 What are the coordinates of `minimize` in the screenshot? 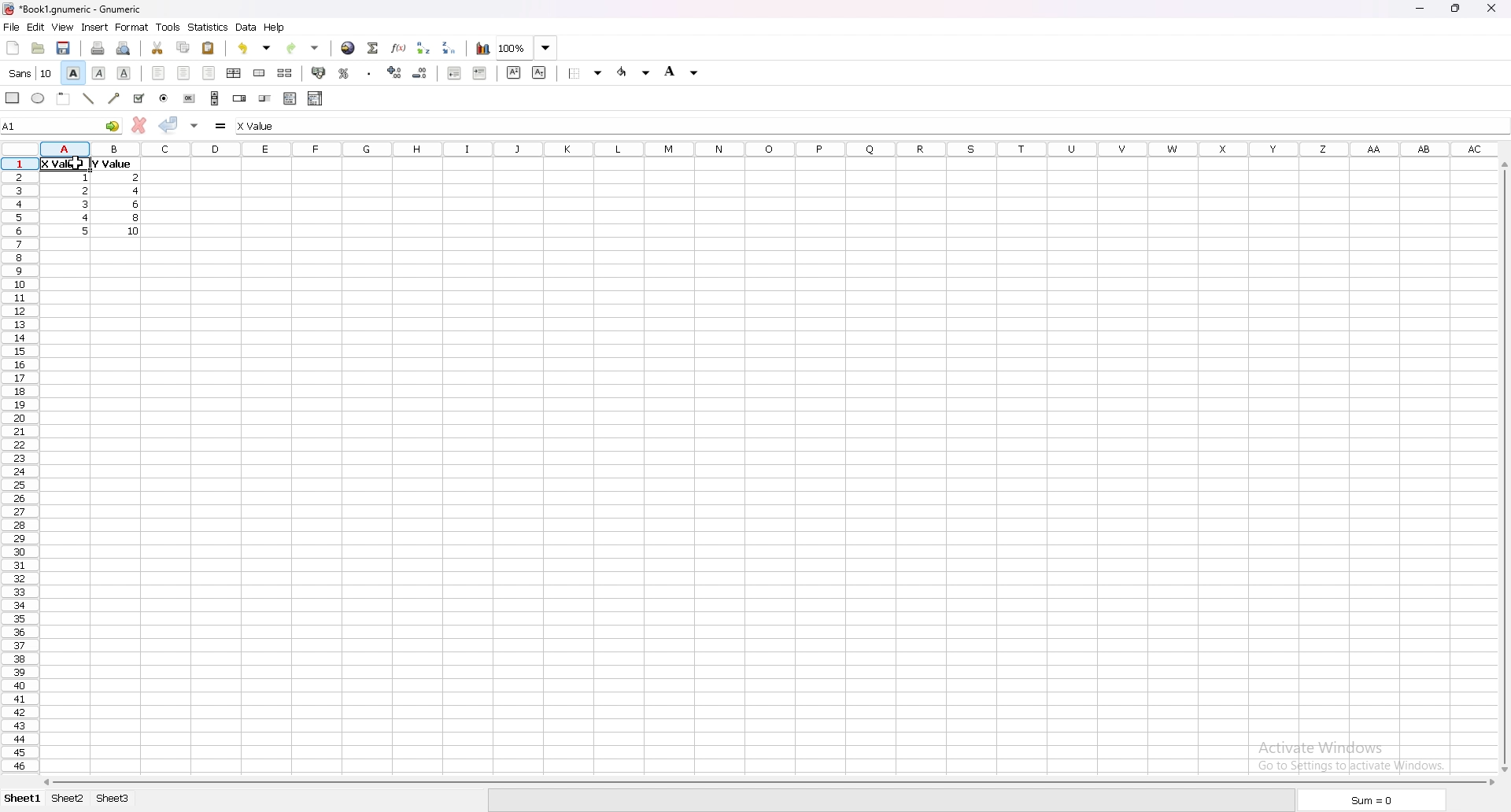 It's located at (1420, 9).